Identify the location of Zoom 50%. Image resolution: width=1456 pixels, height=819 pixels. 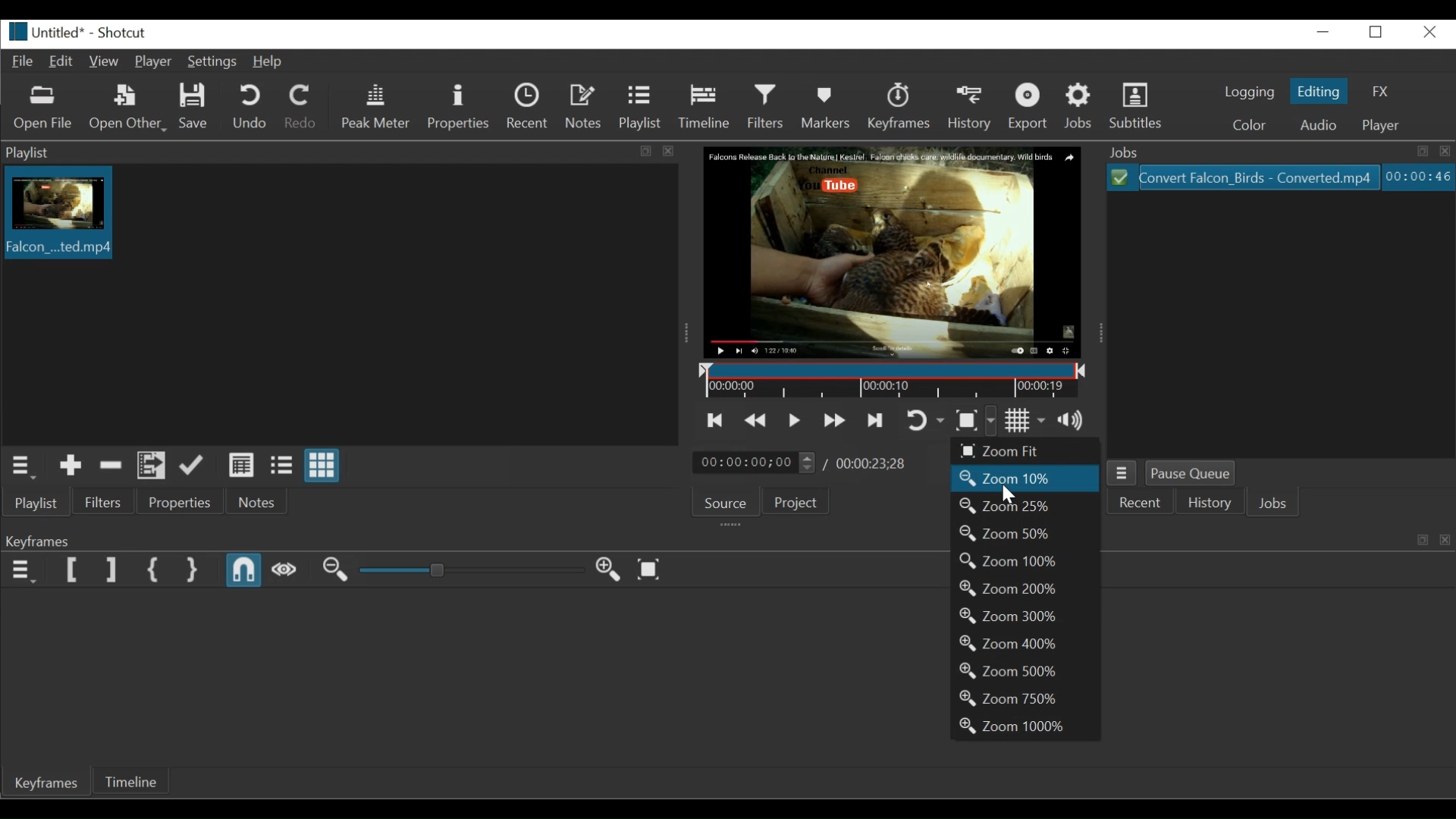
(1025, 532).